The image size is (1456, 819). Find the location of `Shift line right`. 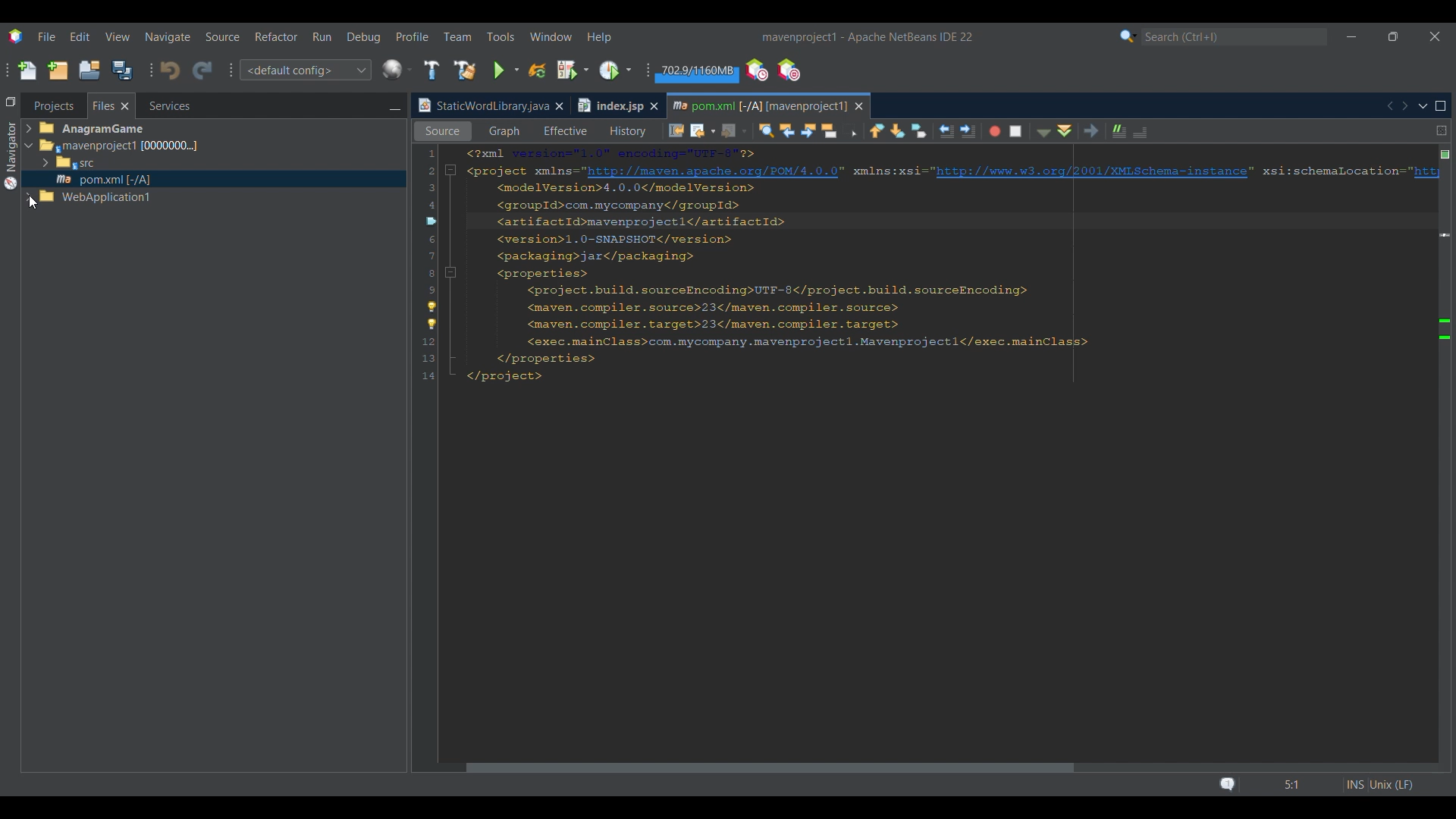

Shift line right is located at coordinates (964, 130).